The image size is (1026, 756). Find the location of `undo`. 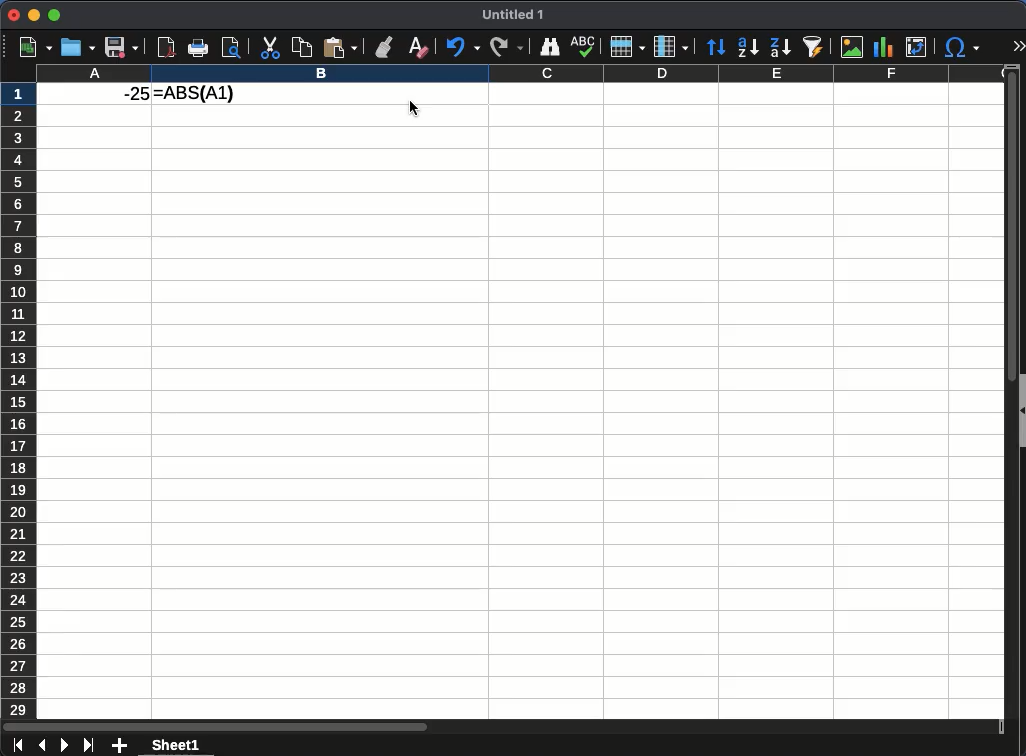

undo is located at coordinates (462, 47).